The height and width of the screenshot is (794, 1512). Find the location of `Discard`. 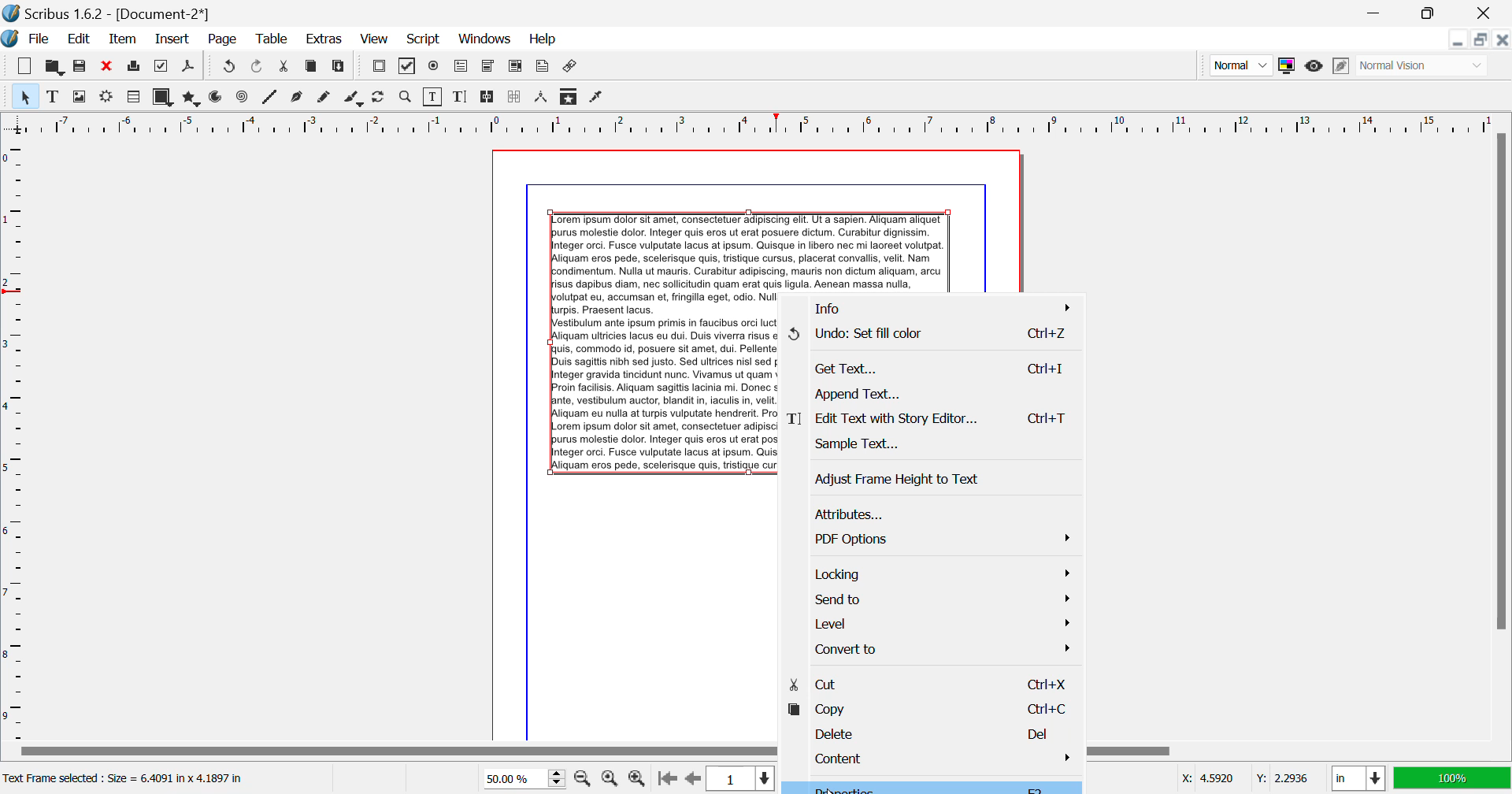

Discard is located at coordinates (107, 66).